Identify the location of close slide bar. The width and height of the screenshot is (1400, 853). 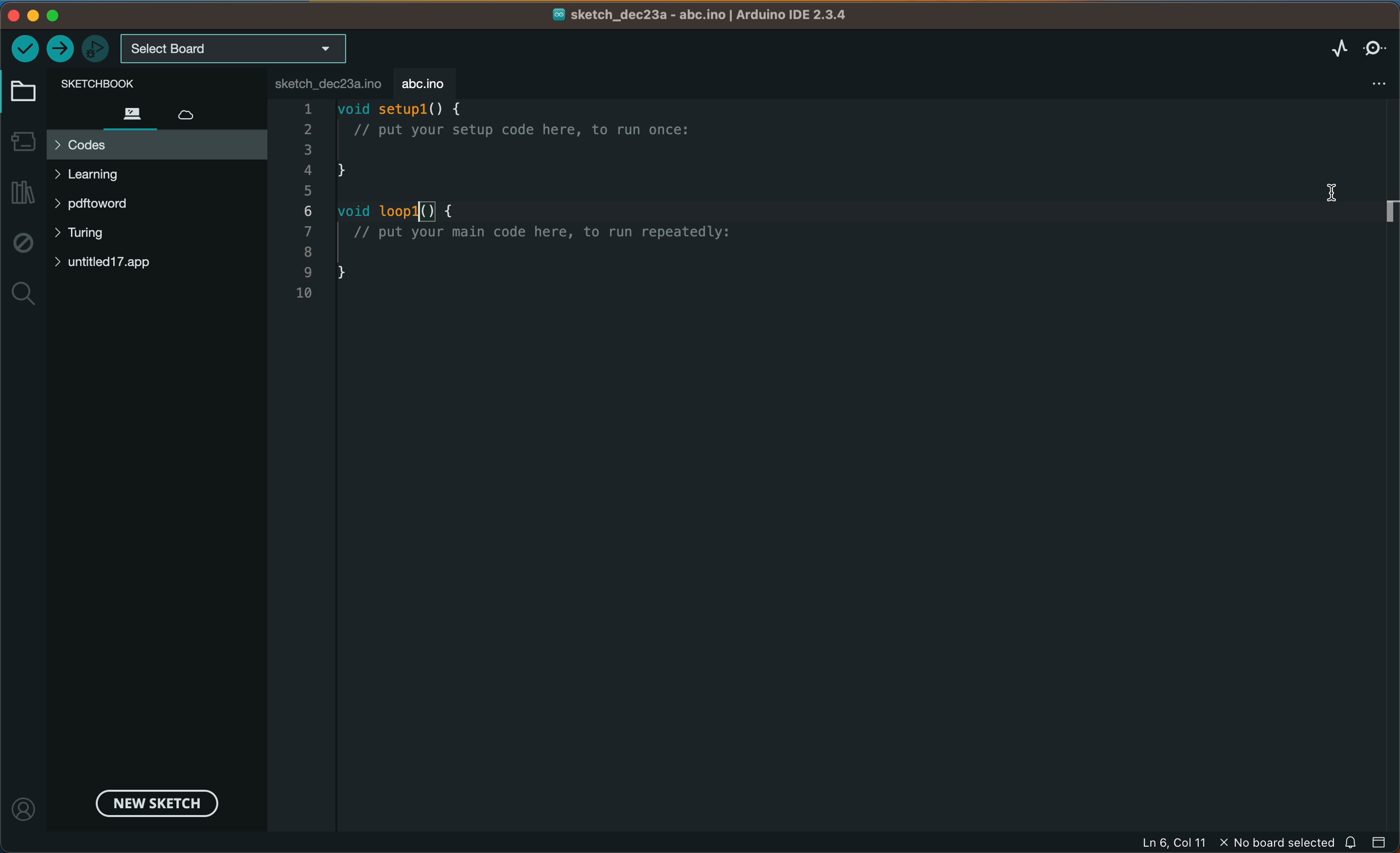
(1382, 840).